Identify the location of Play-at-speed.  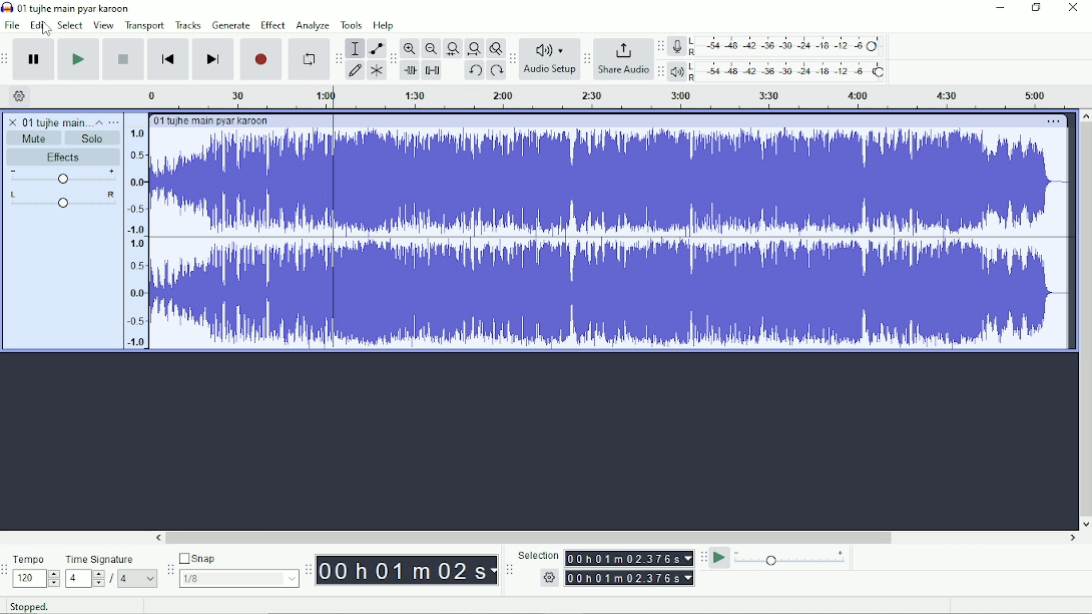
(719, 558).